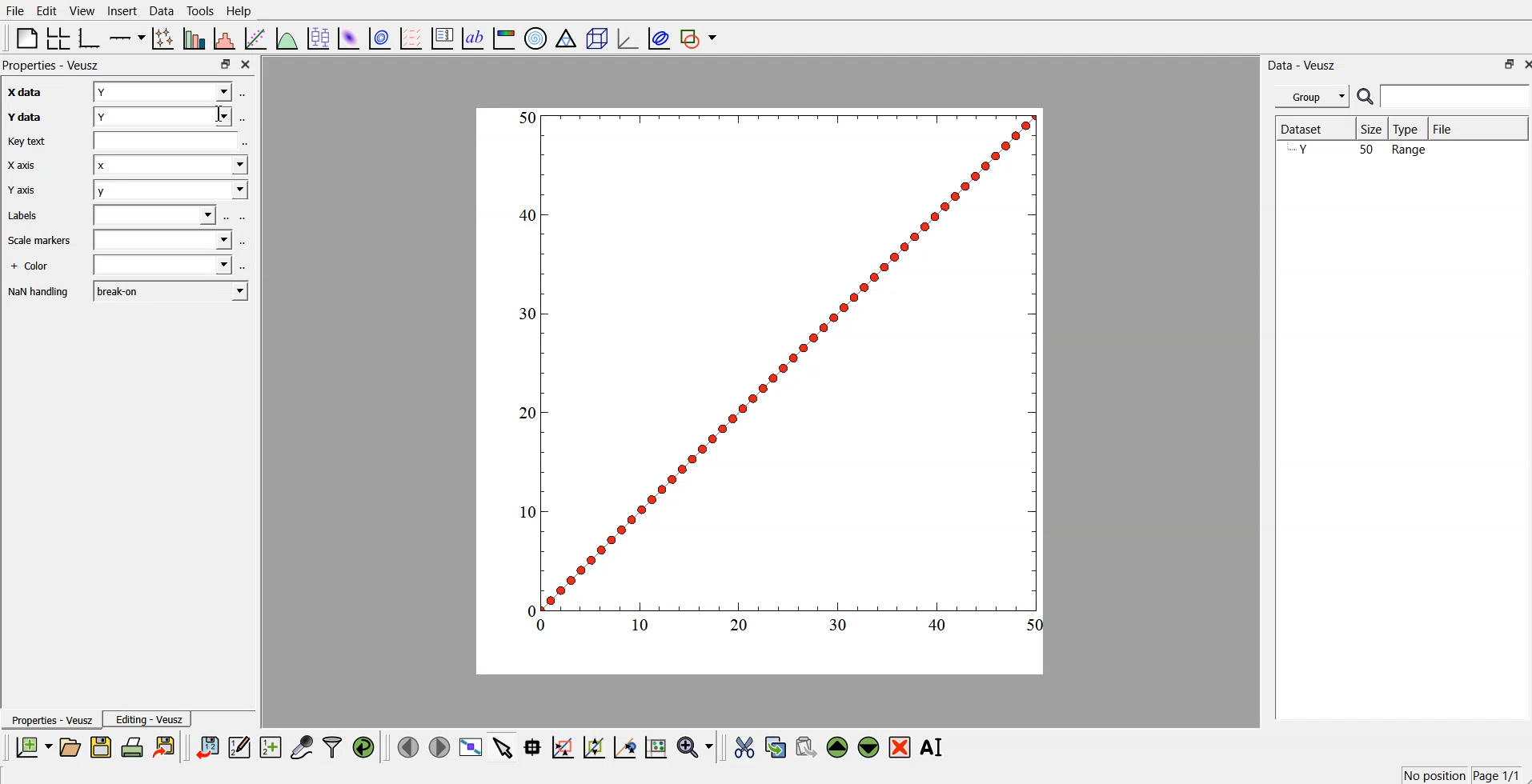 The height and width of the screenshot is (784, 1532). Describe the element at coordinates (761, 390) in the screenshot. I see `graph chart` at that location.